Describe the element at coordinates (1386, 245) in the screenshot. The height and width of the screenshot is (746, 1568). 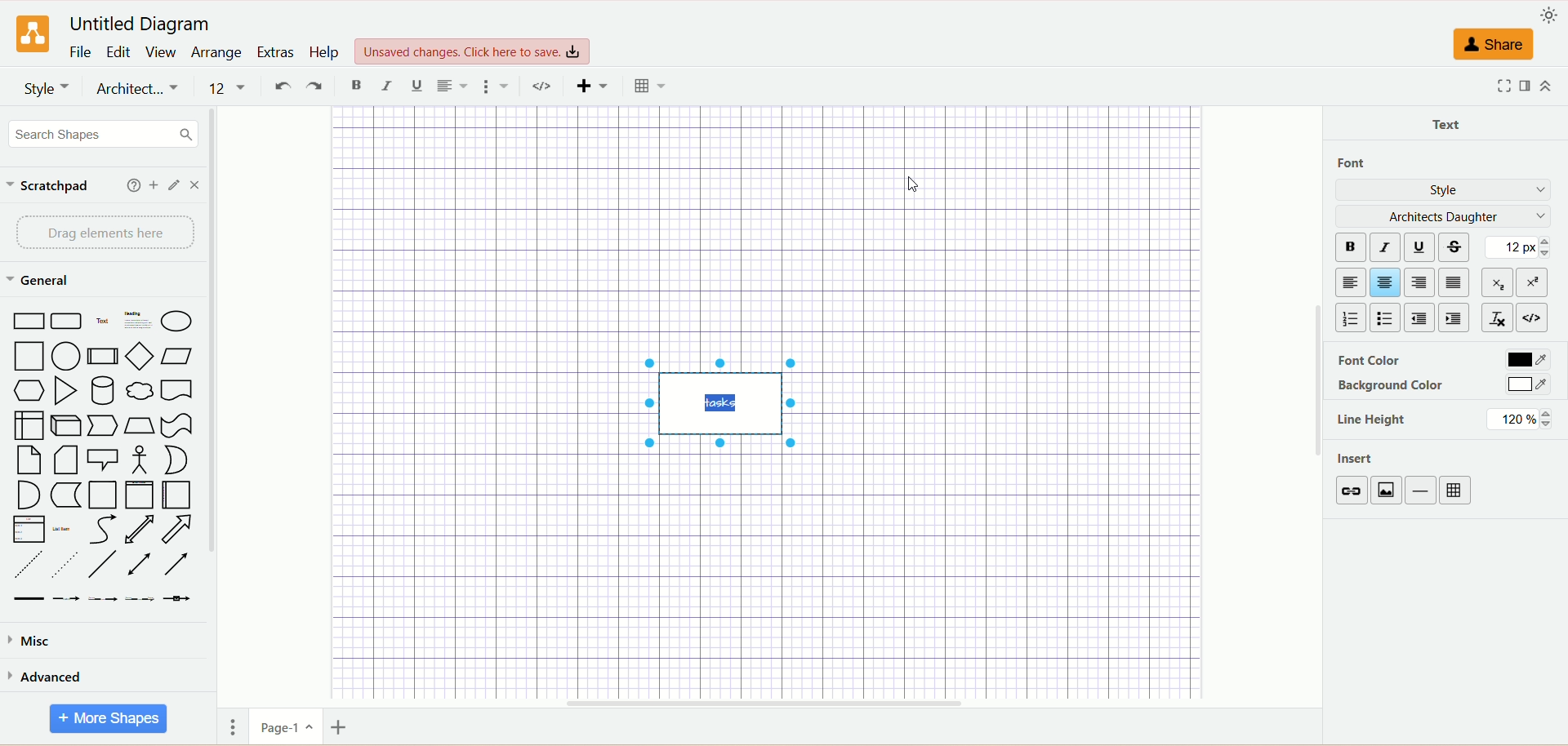
I see `italics` at that location.